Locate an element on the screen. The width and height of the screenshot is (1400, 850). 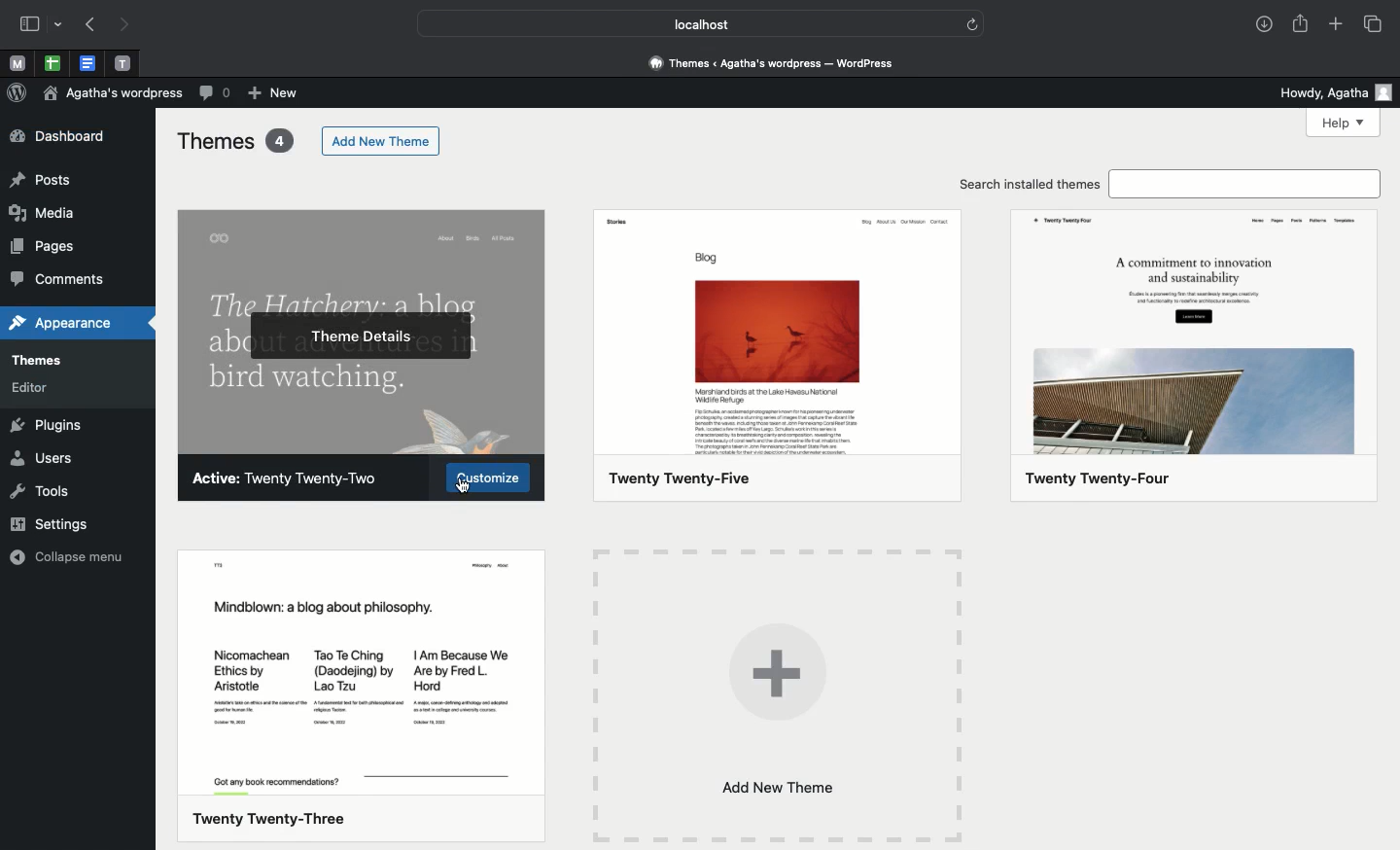
2025 theme is located at coordinates (785, 360).